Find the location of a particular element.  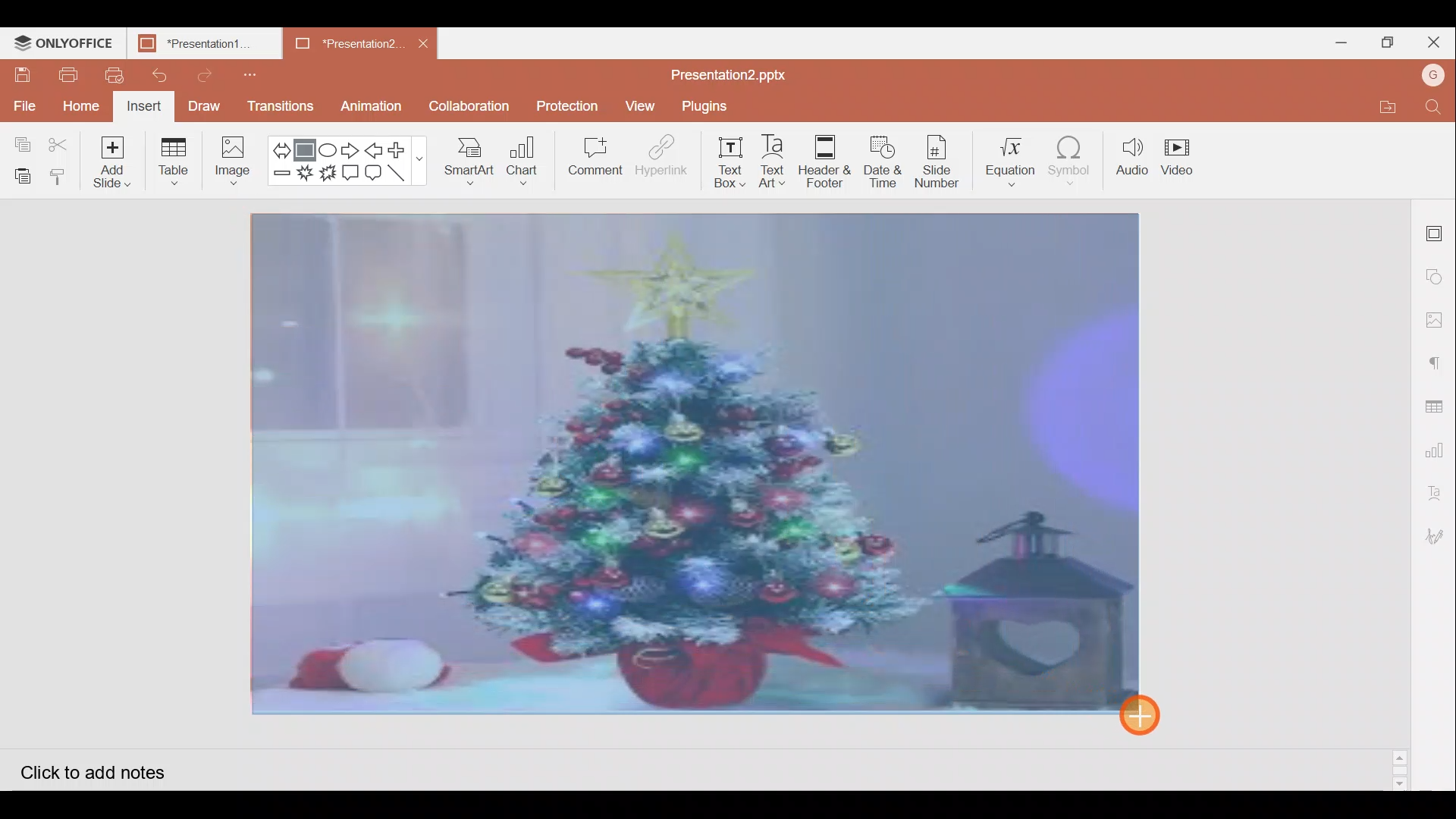

Text Art settings is located at coordinates (1441, 490).